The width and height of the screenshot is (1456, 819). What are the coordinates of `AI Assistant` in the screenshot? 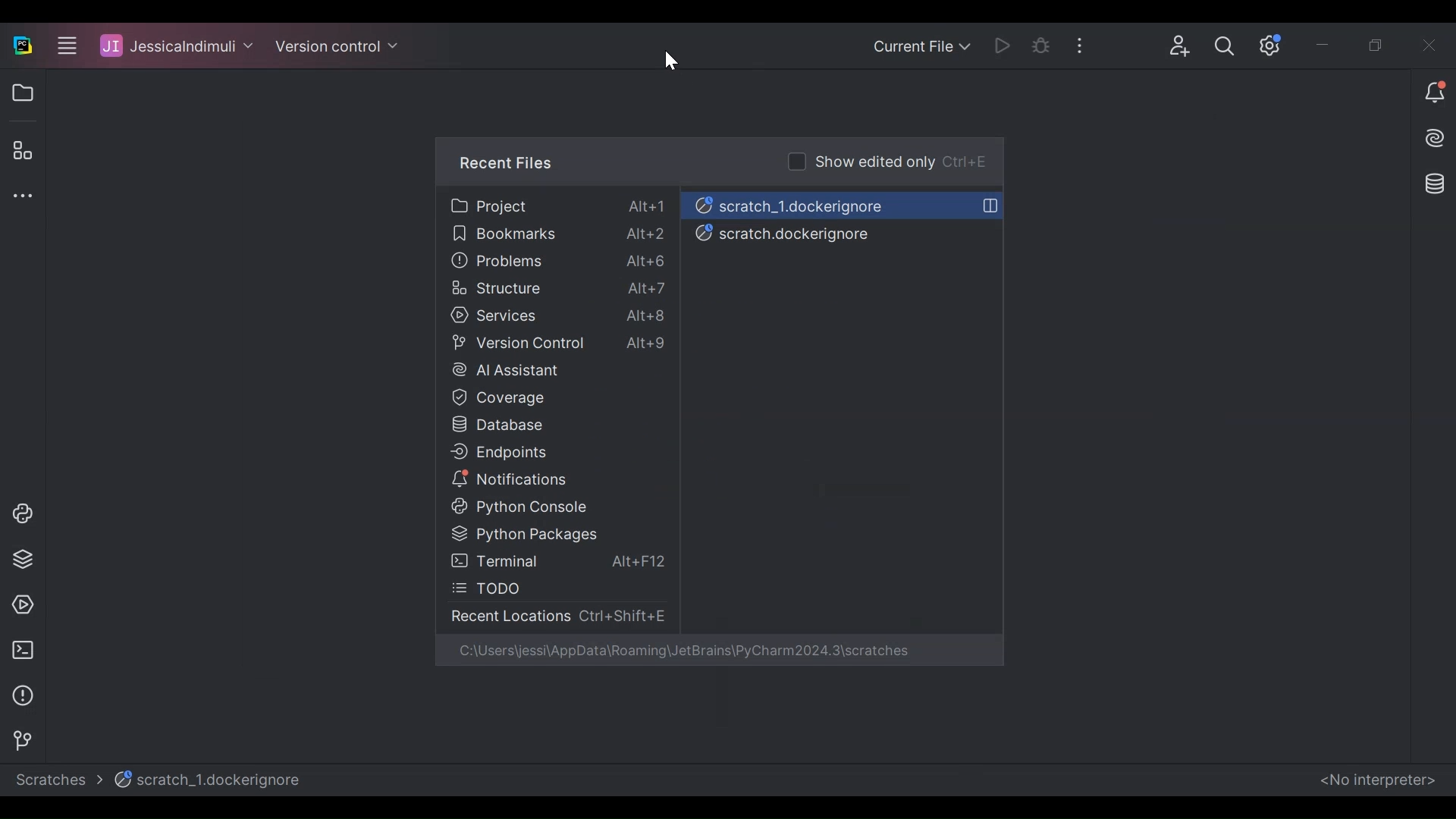 It's located at (1428, 142).